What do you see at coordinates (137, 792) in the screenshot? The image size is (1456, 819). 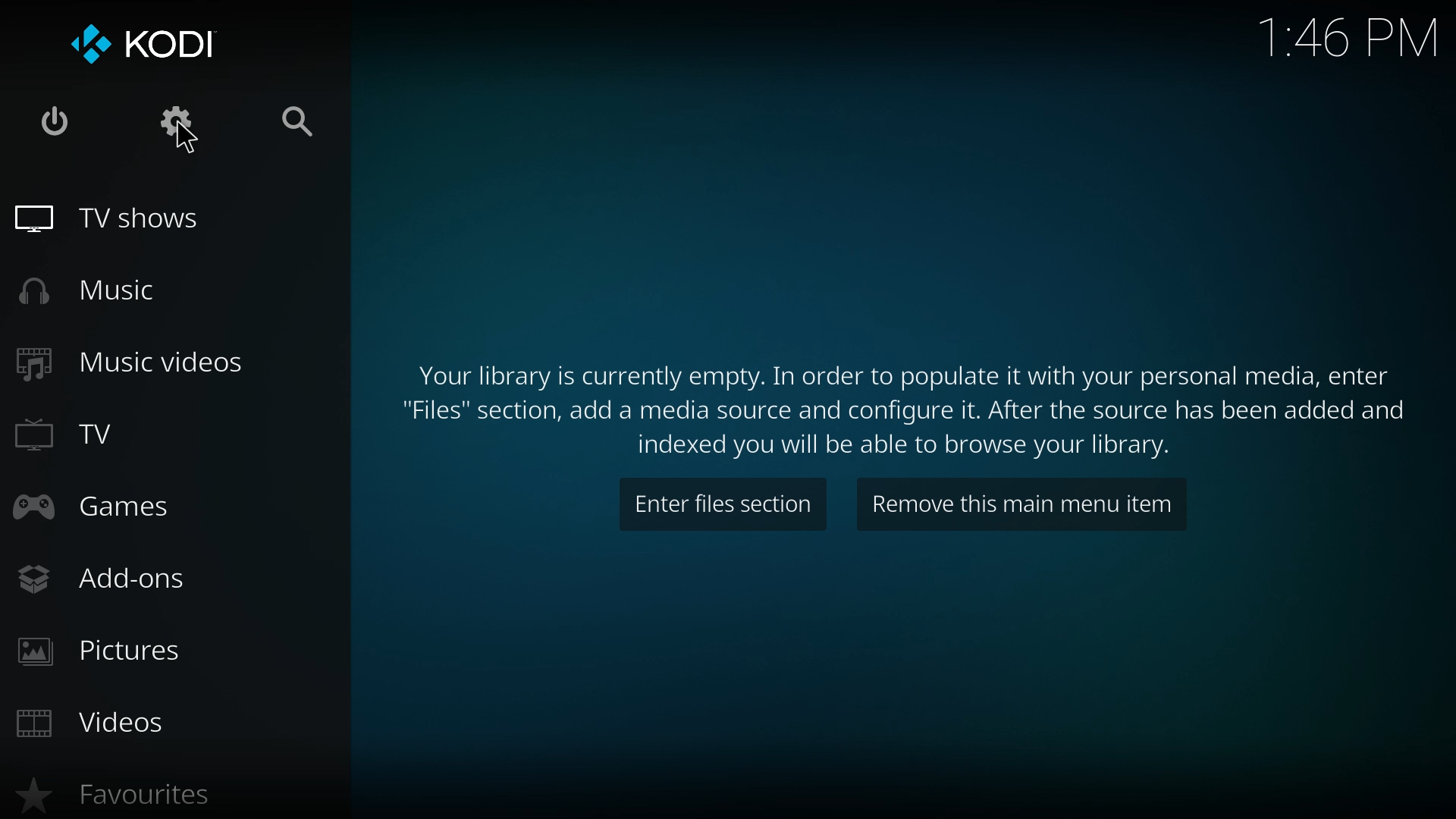 I see `favourites` at bounding box center [137, 792].